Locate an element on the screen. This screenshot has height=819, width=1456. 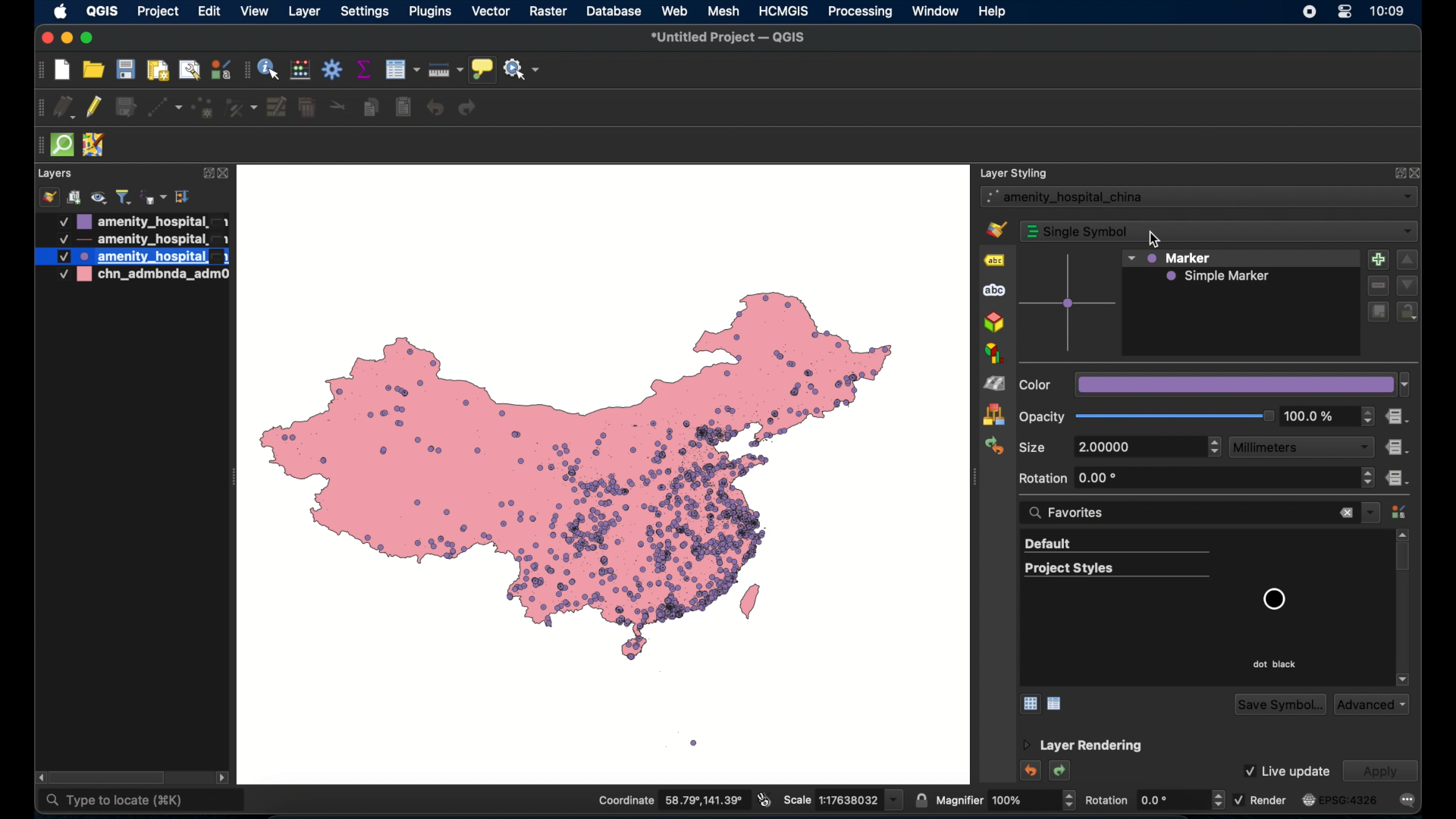
simplemarker is located at coordinates (1219, 277).